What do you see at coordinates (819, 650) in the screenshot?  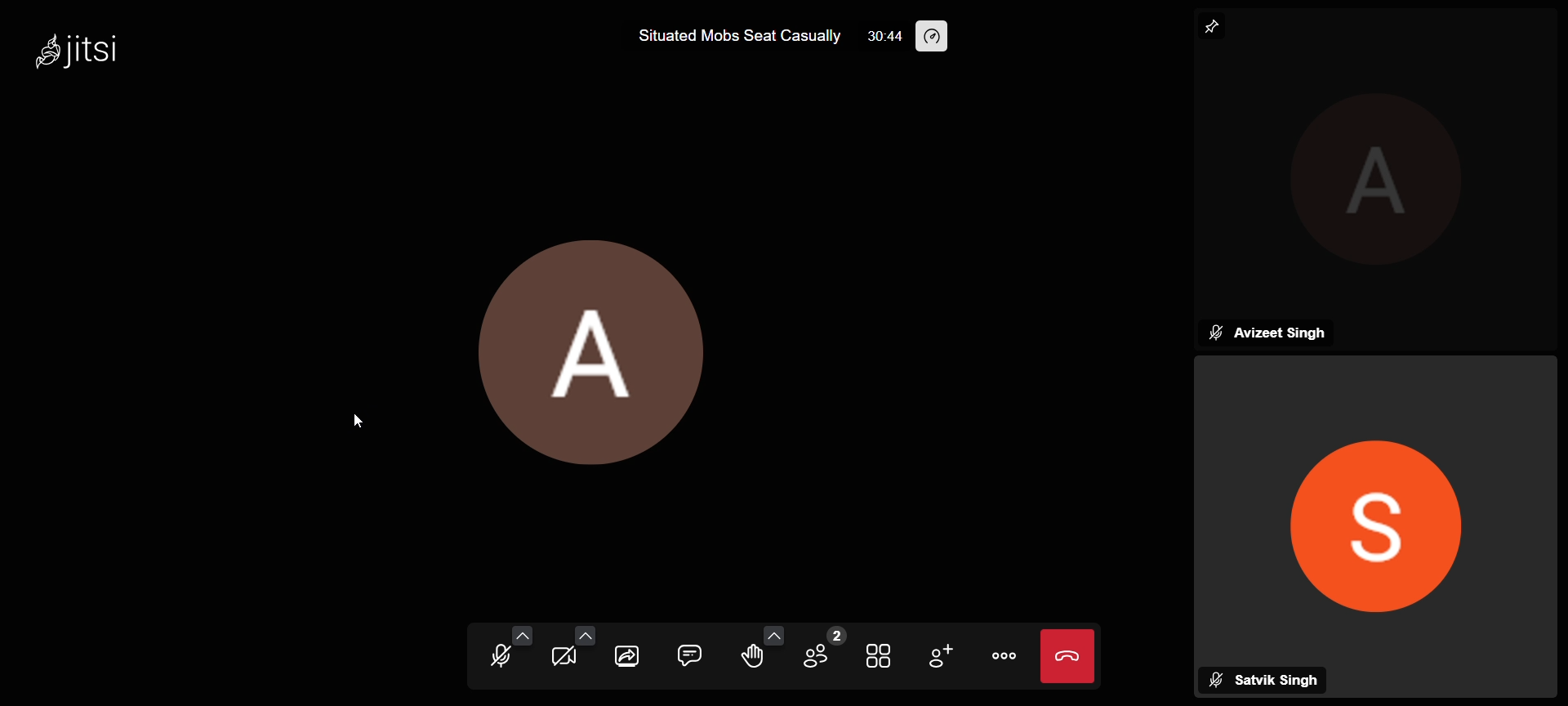 I see `participants` at bounding box center [819, 650].